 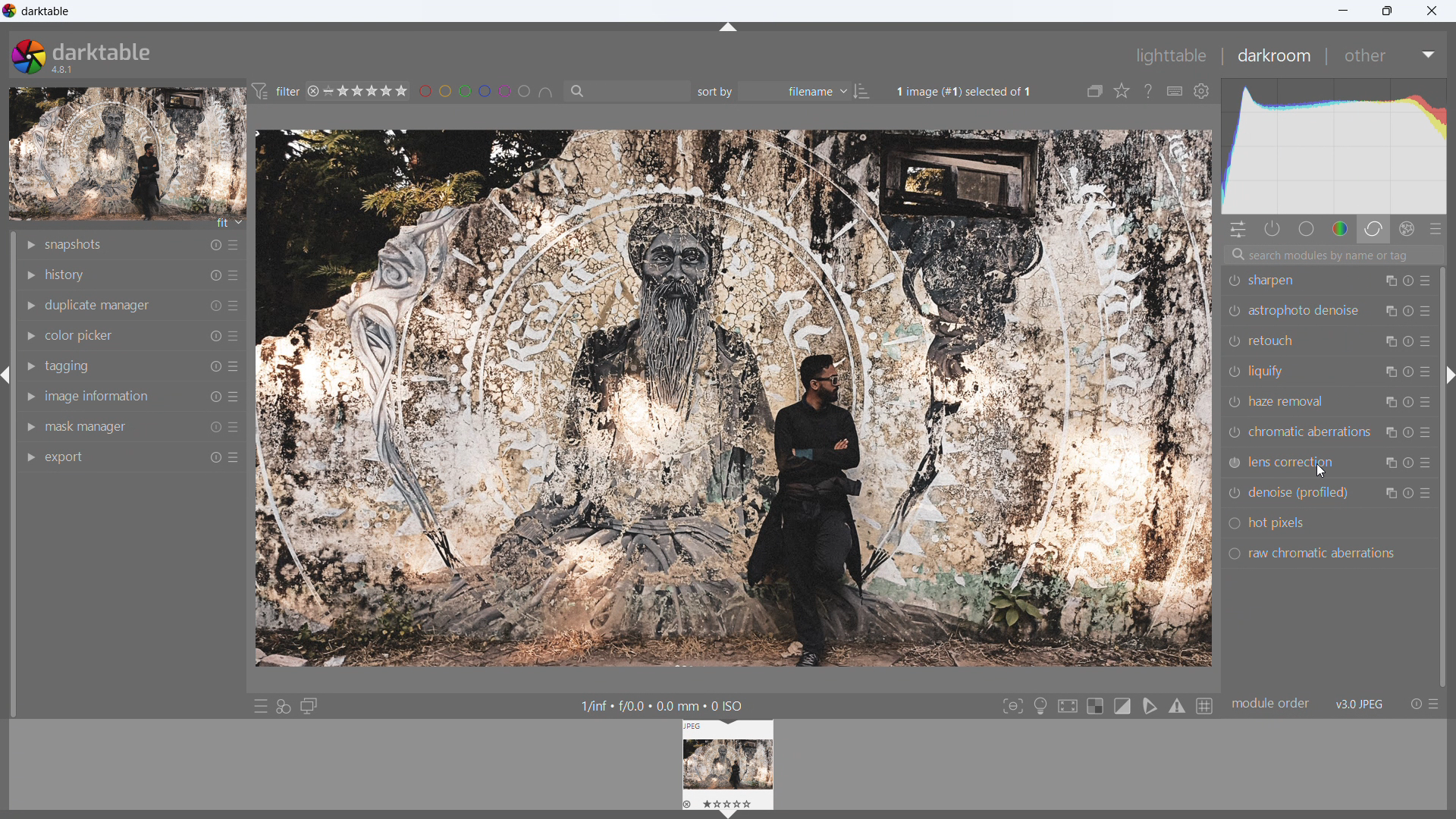 What do you see at coordinates (1407, 229) in the screenshot?
I see `effect` at bounding box center [1407, 229].